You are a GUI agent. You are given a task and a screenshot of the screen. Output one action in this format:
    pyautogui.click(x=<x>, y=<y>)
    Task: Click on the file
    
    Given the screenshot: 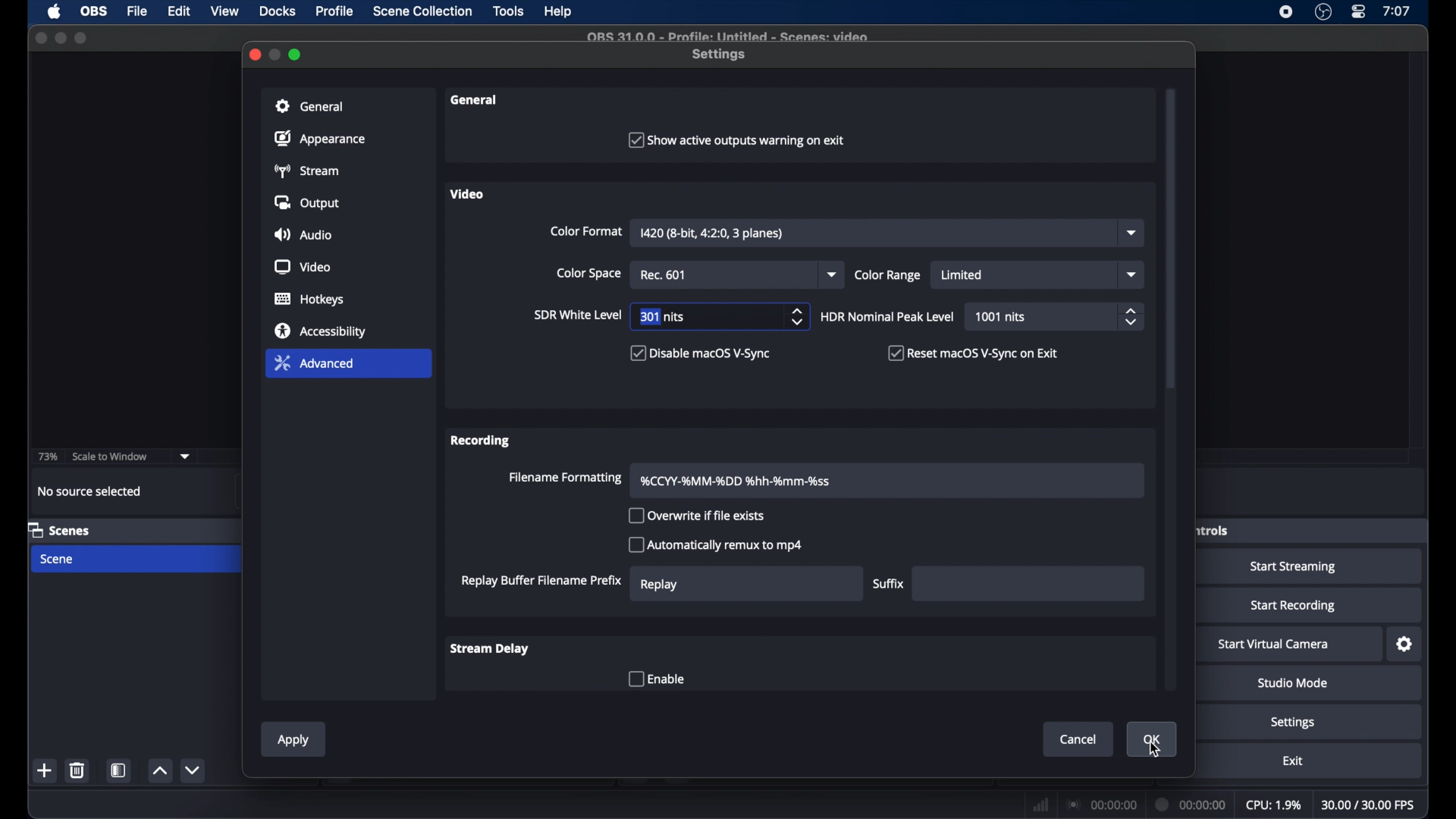 What is the action you would take?
    pyautogui.click(x=138, y=11)
    